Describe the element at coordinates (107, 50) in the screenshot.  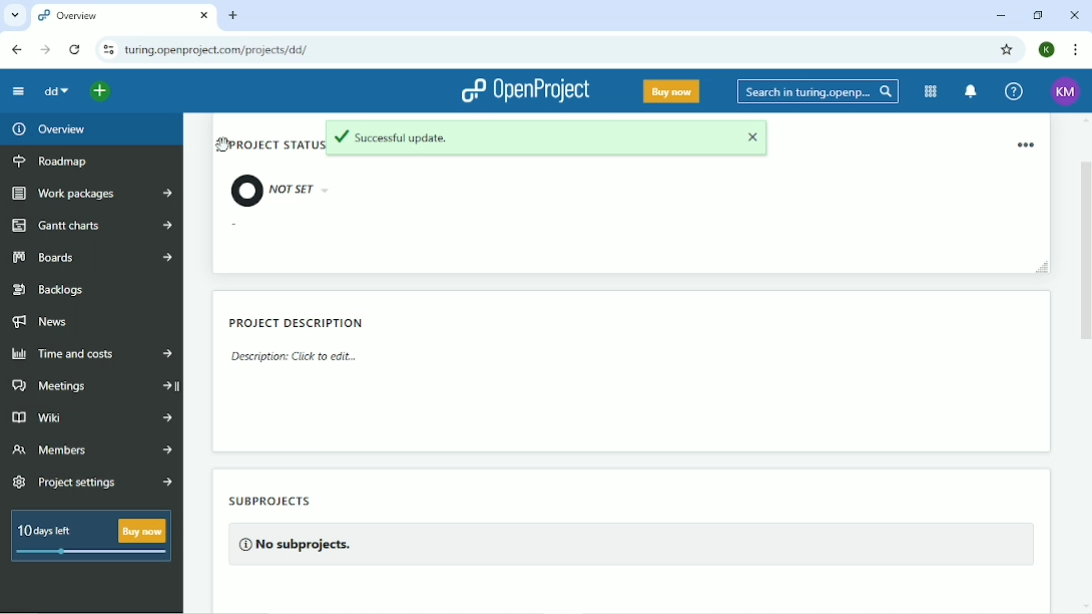
I see `View site information` at that location.